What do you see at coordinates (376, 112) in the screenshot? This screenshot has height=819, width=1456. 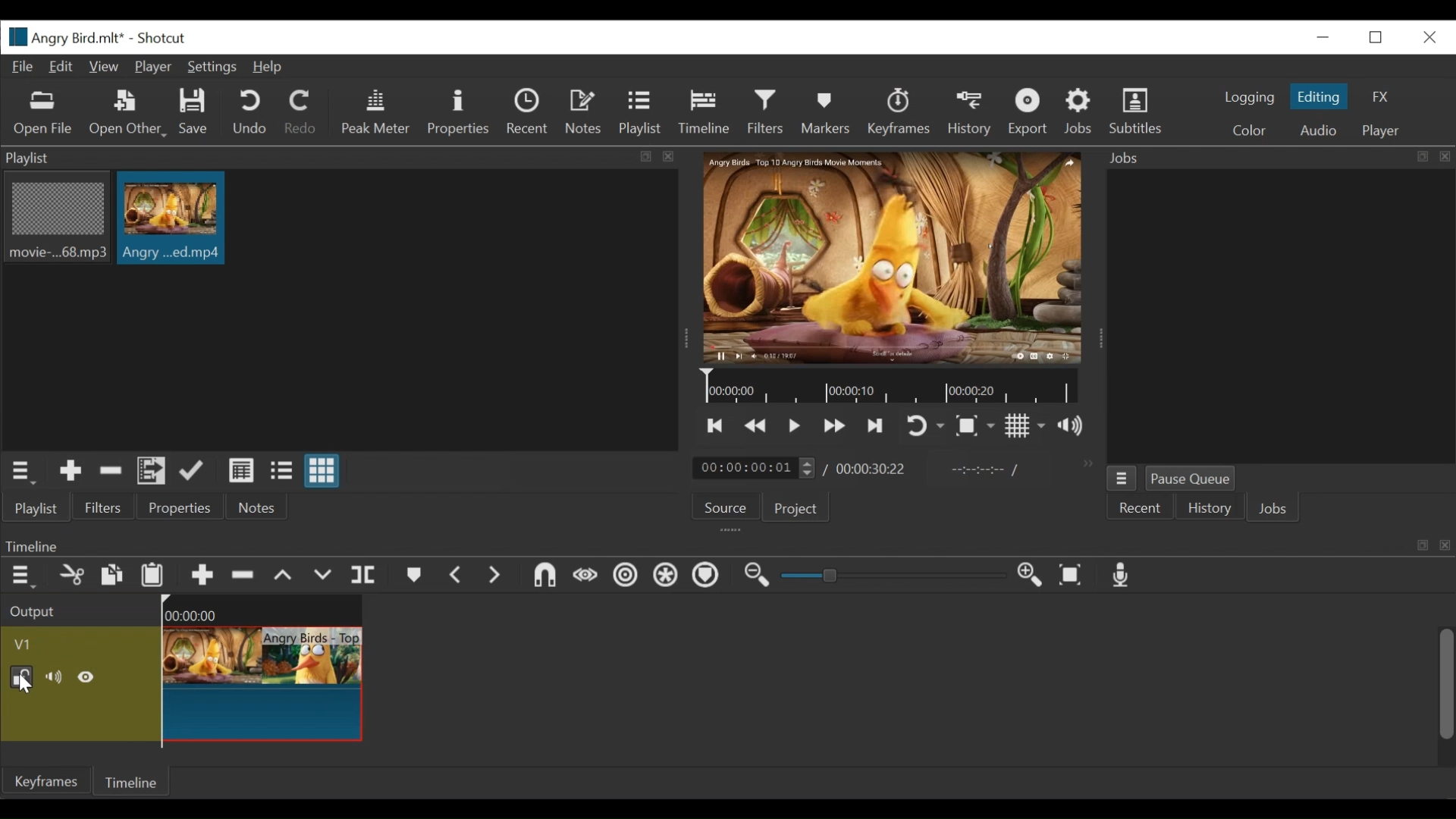 I see `Peak Meter` at bounding box center [376, 112].